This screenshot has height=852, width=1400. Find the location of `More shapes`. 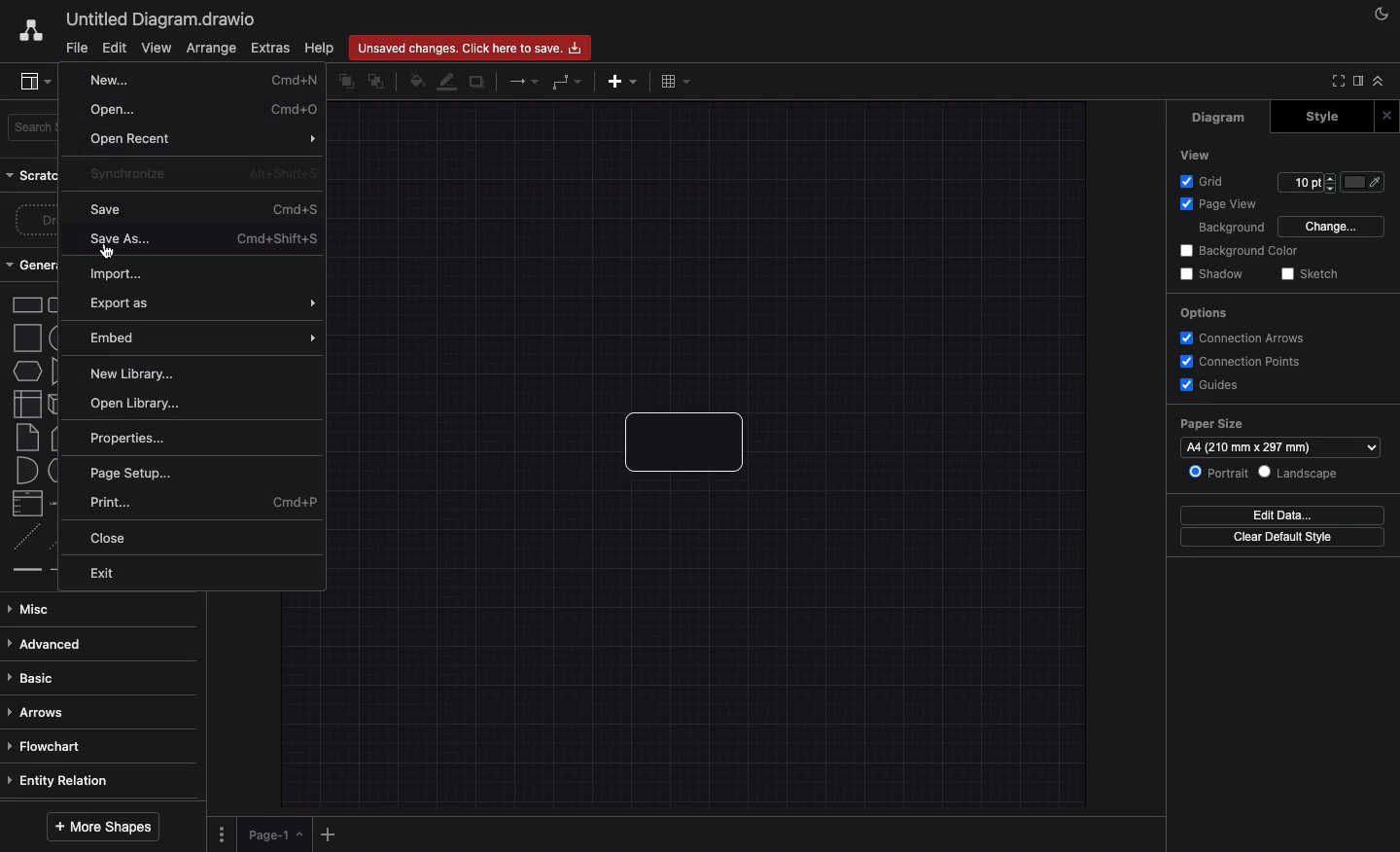

More shapes is located at coordinates (102, 826).